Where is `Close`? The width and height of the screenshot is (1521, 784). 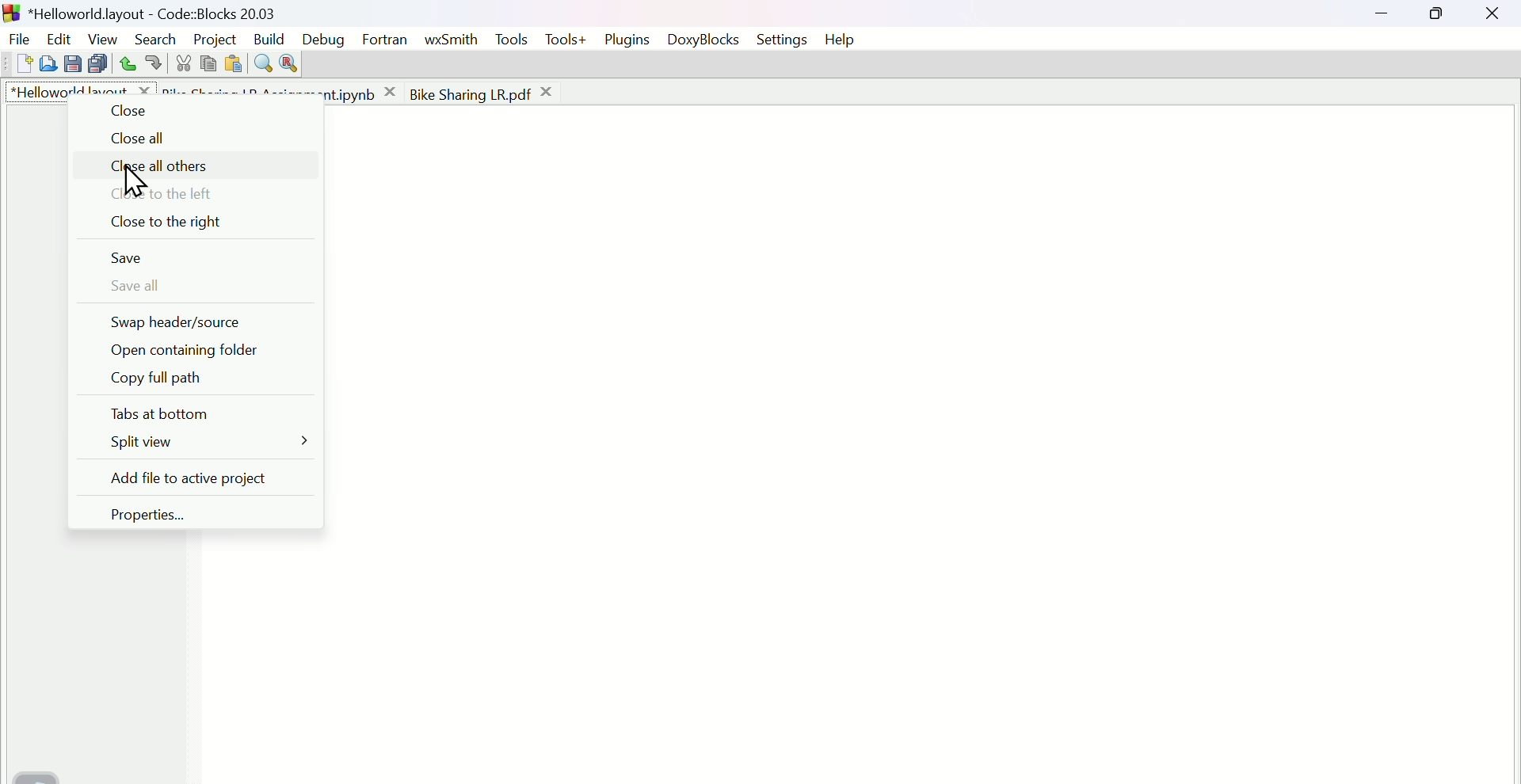 Close is located at coordinates (128, 113).